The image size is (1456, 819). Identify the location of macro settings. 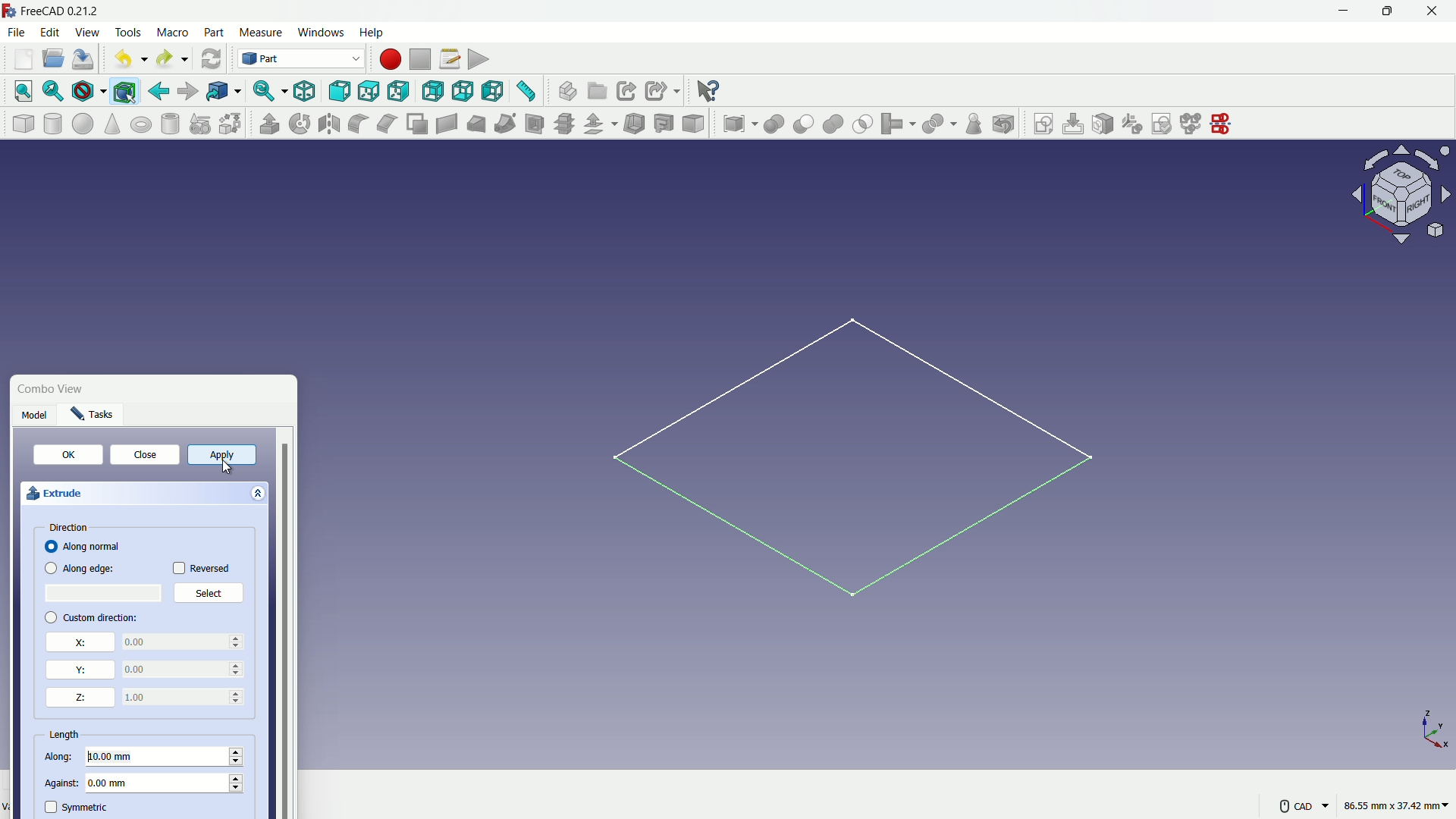
(450, 59).